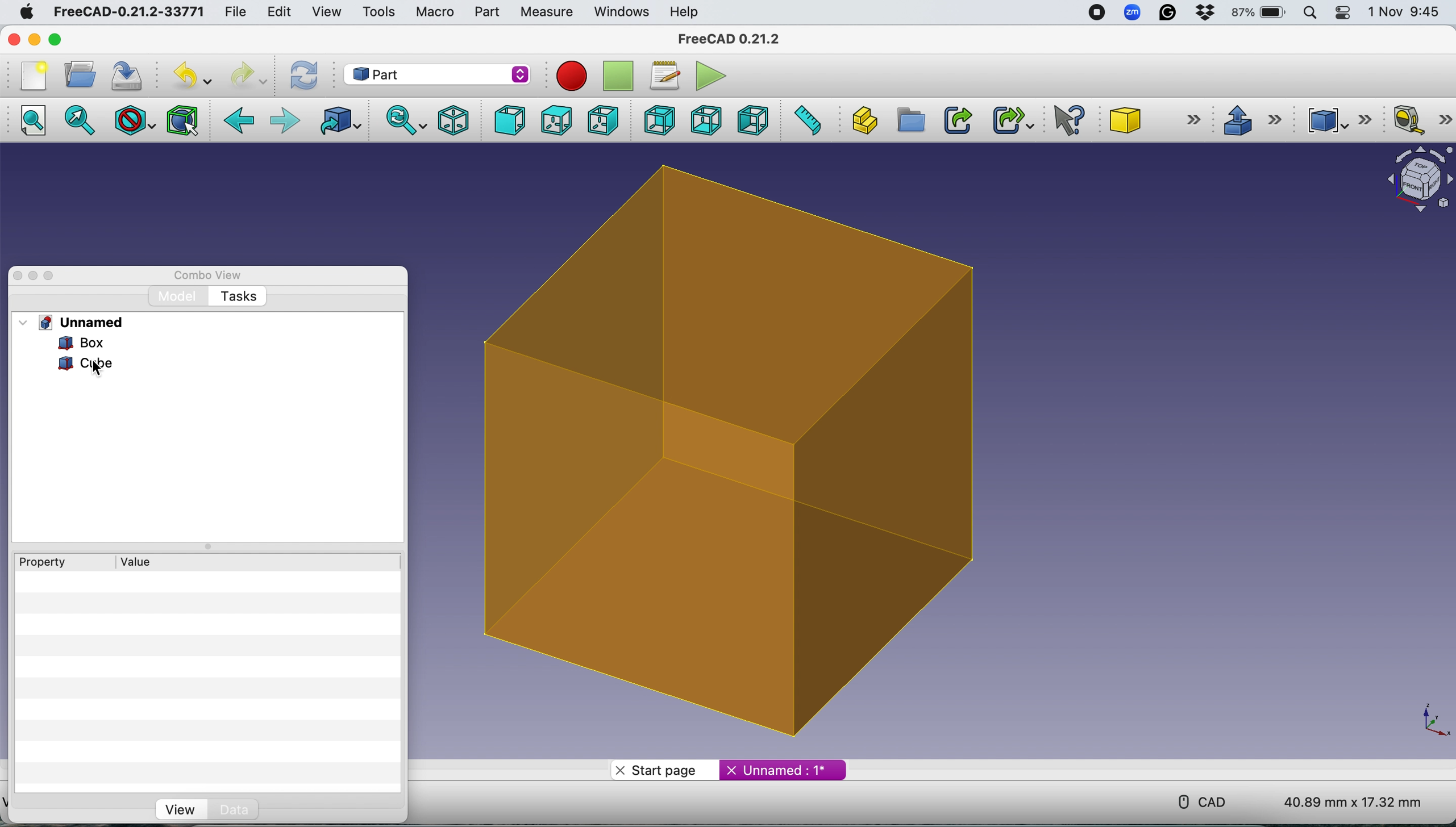 The image size is (1456, 827). Describe the element at coordinates (782, 769) in the screenshot. I see `Unnamed` at that location.